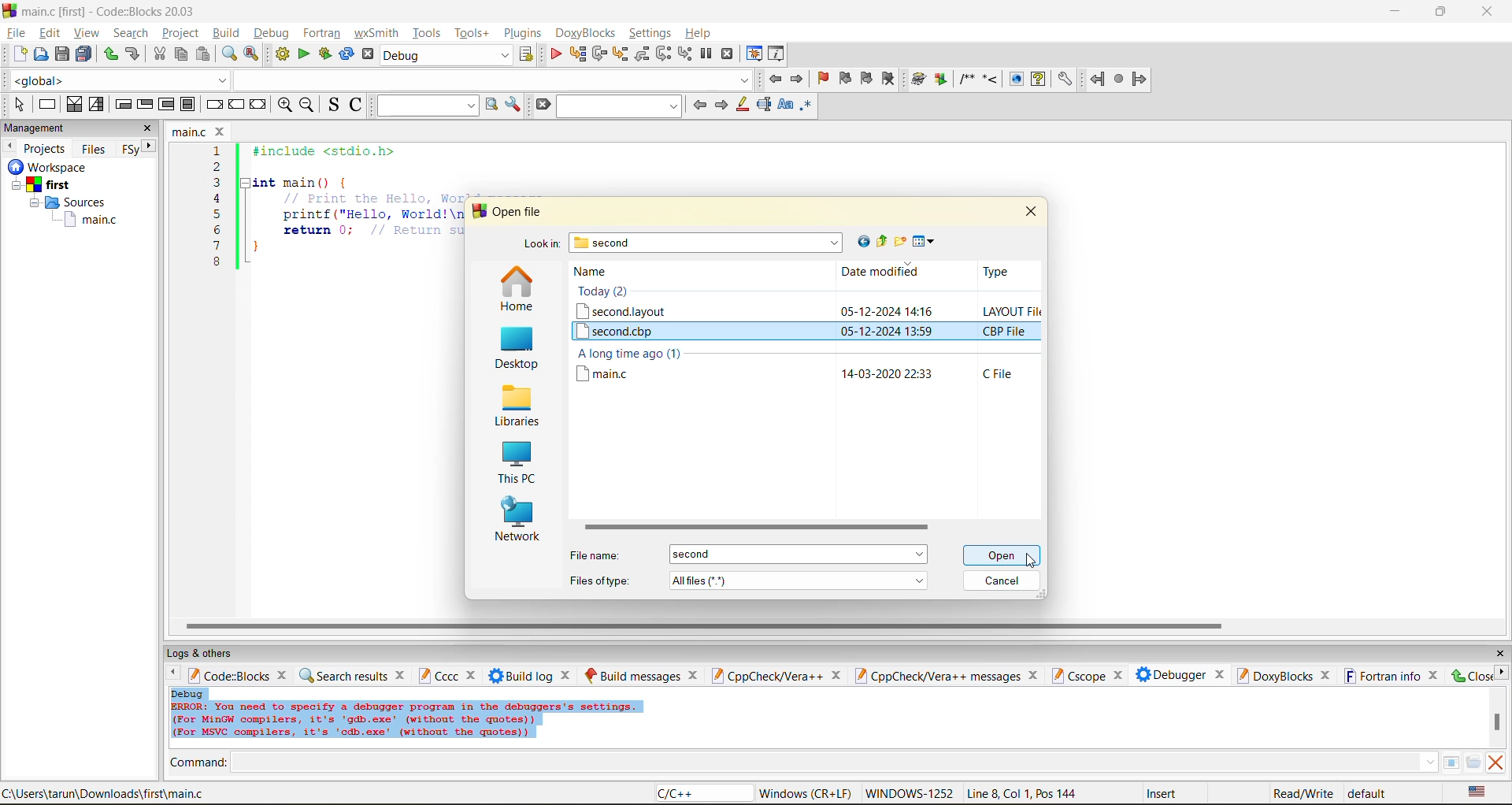 Image resolution: width=1512 pixels, height=805 pixels. Describe the element at coordinates (322, 33) in the screenshot. I see `fortran` at that location.